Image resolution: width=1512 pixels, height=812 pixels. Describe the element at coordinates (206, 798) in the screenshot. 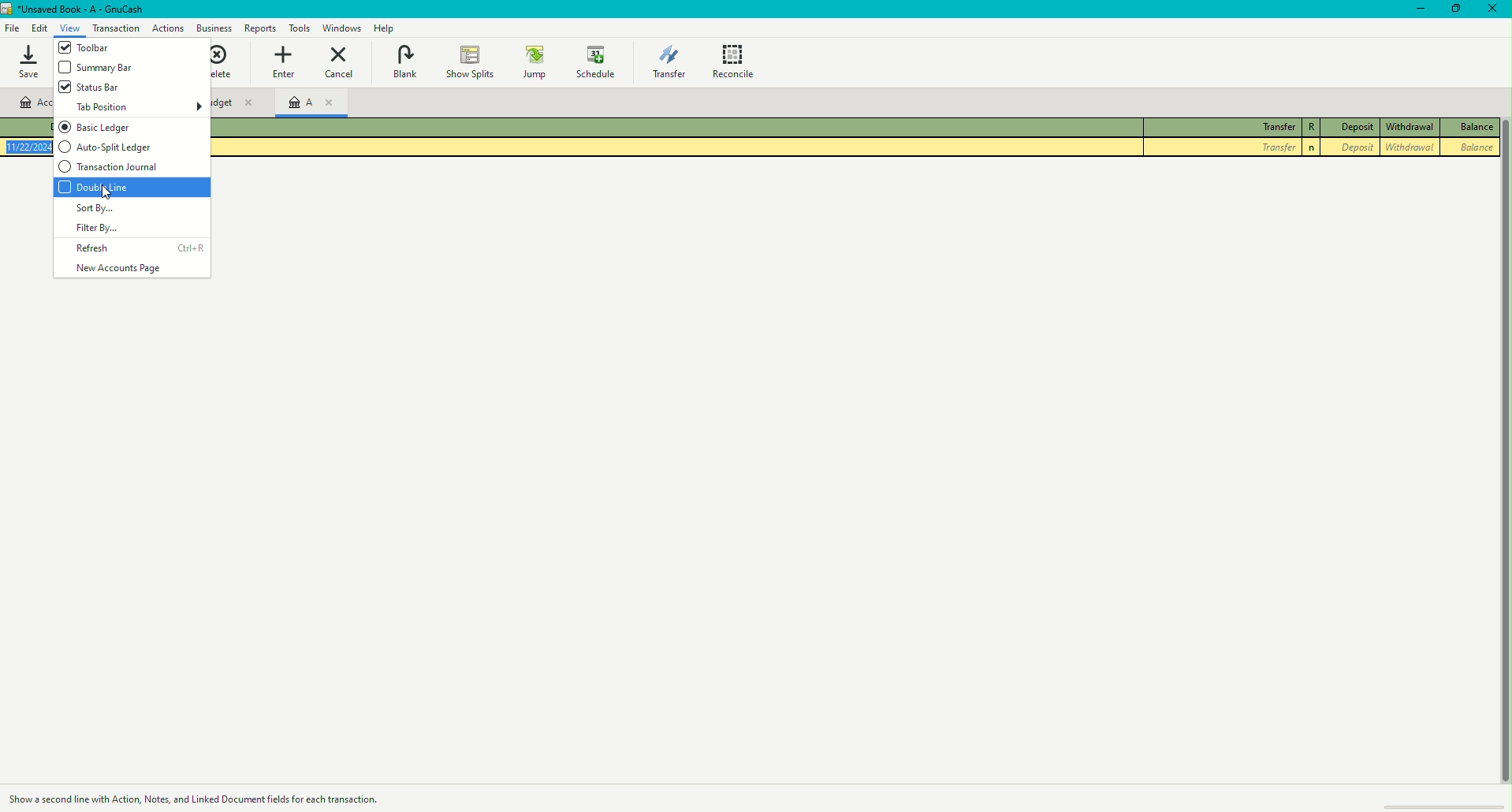

I see `Action description` at that location.